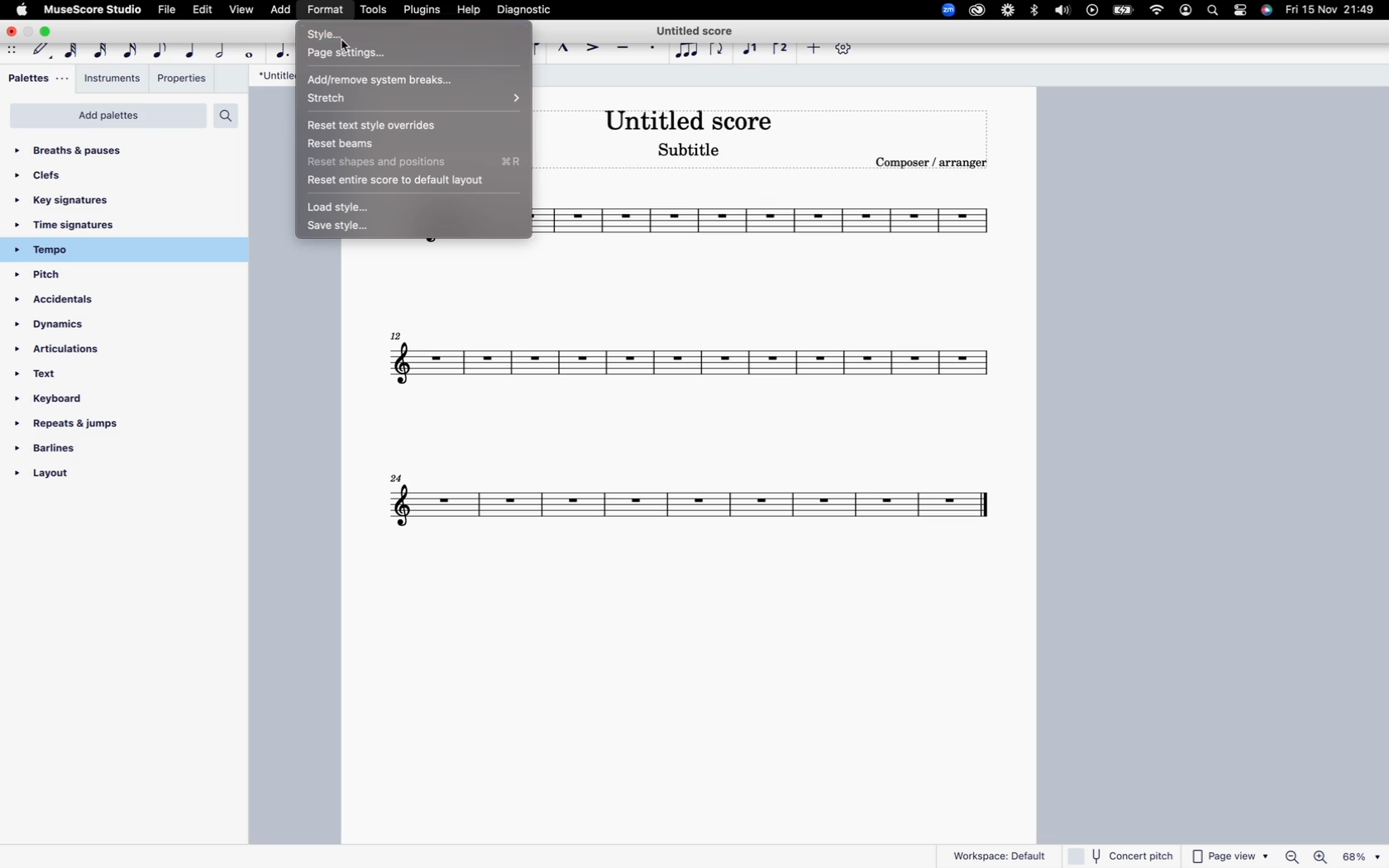 This screenshot has height=868, width=1389. Describe the element at coordinates (53, 379) in the screenshot. I see `text` at that location.